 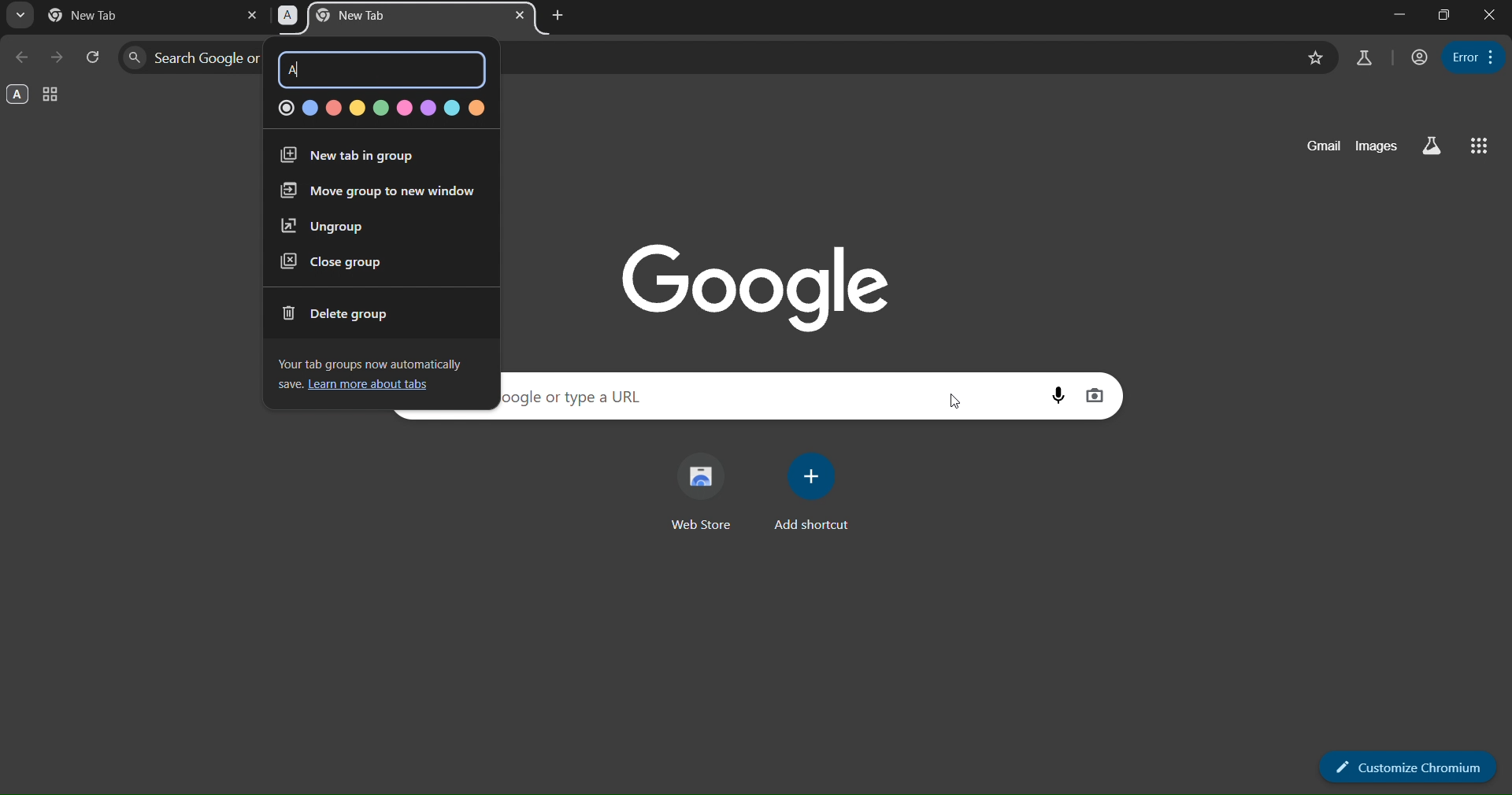 I want to click on reload, so click(x=94, y=54).